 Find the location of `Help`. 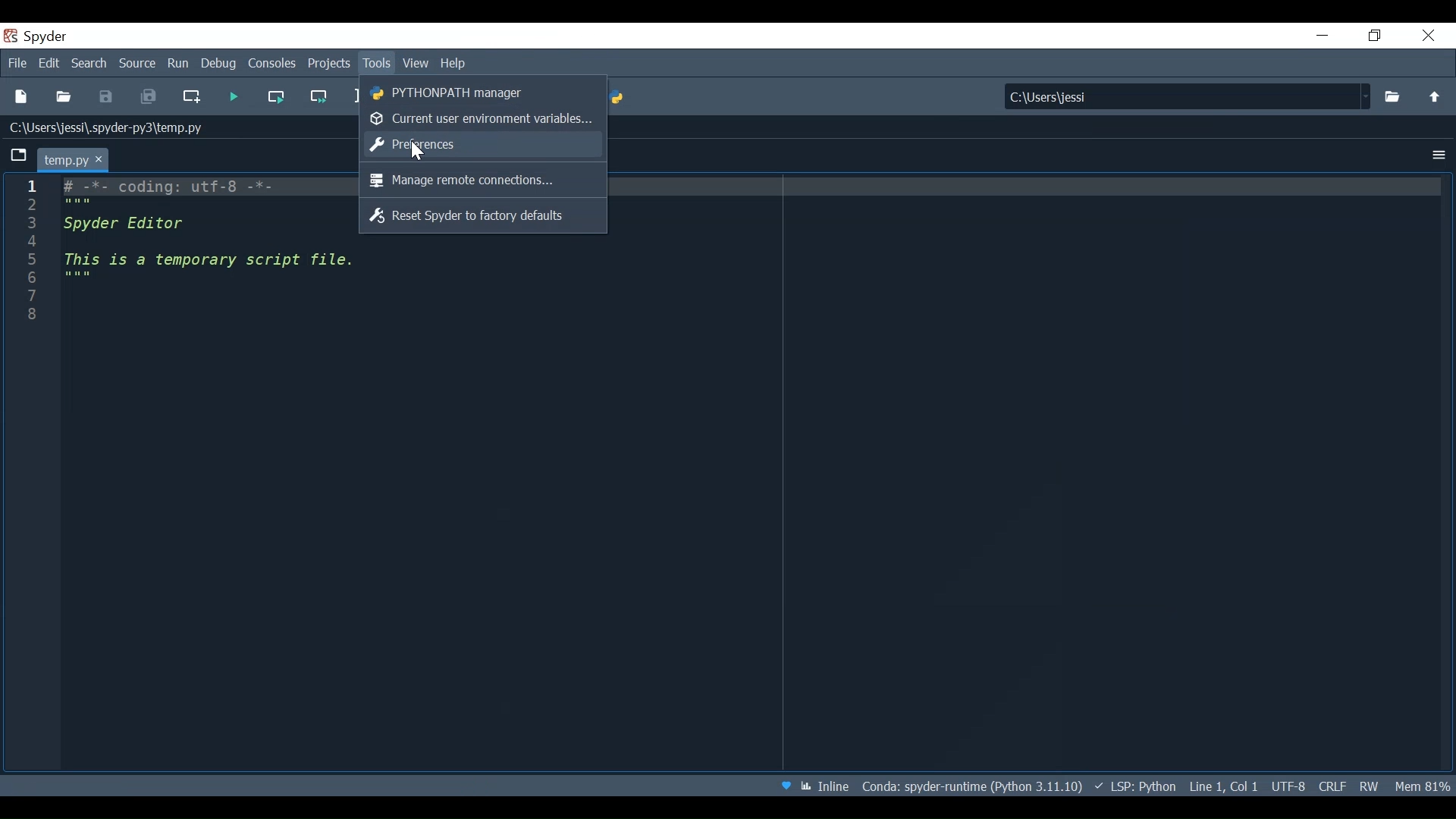

Help is located at coordinates (452, 63).